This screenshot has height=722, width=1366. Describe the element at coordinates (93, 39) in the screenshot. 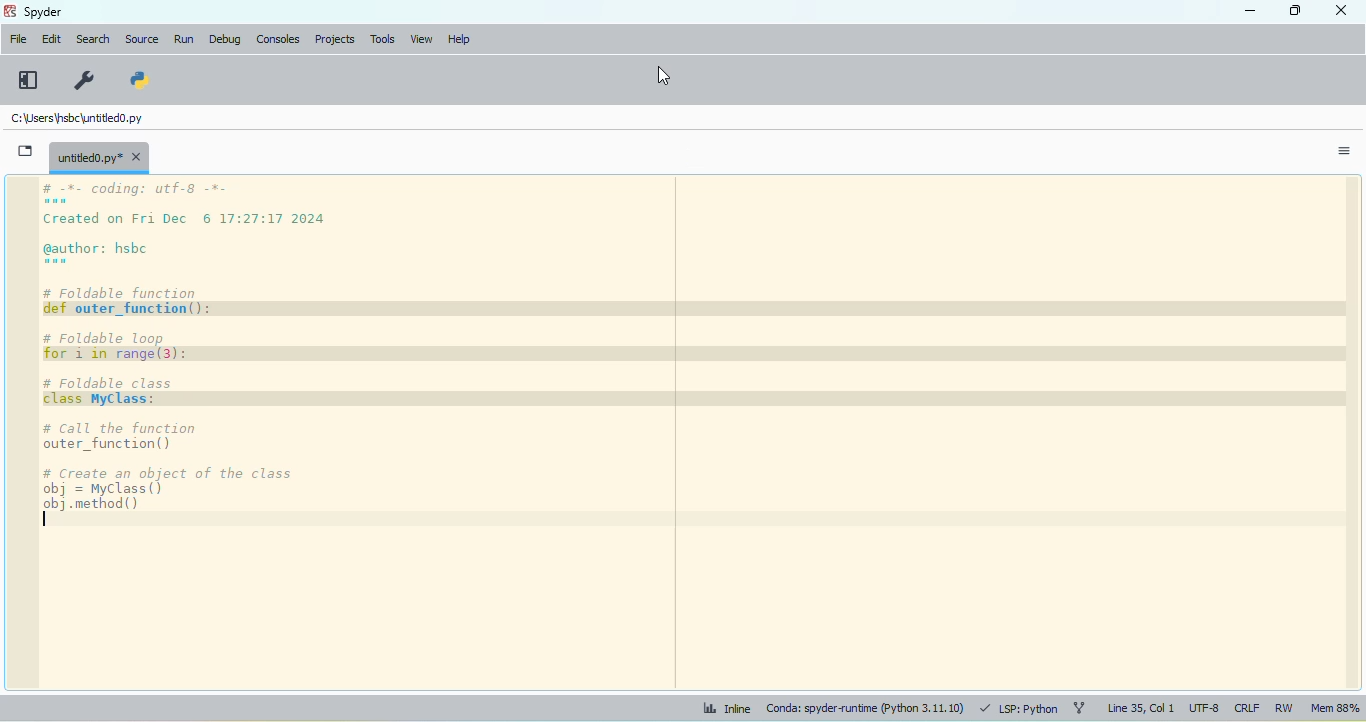

I see `search` at that location.